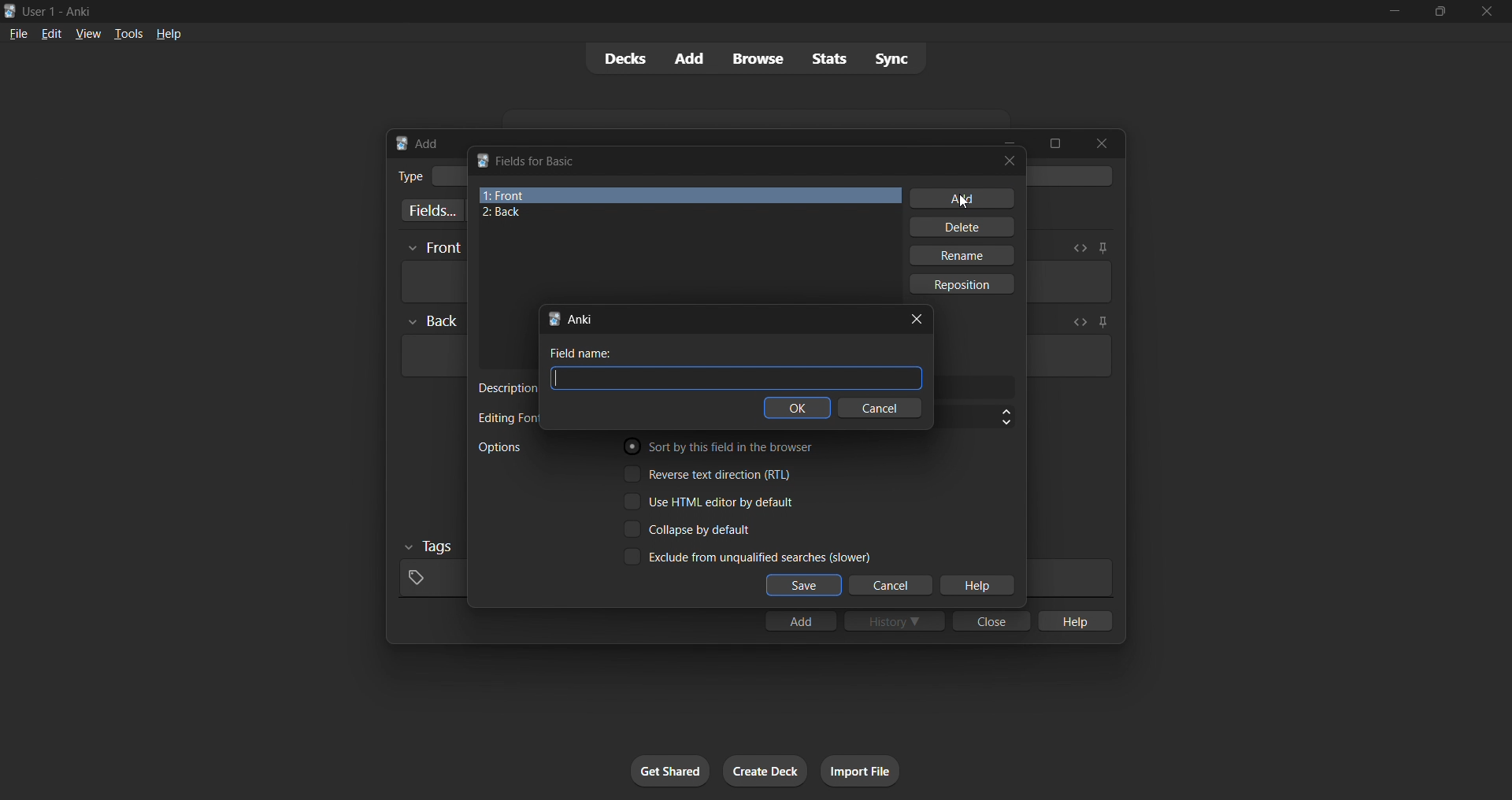 This screenshot has width=1512, height=800. What do you see at coordinates (917, 320) in the screenshot?
I see `close` at bounding box center [917, 320].